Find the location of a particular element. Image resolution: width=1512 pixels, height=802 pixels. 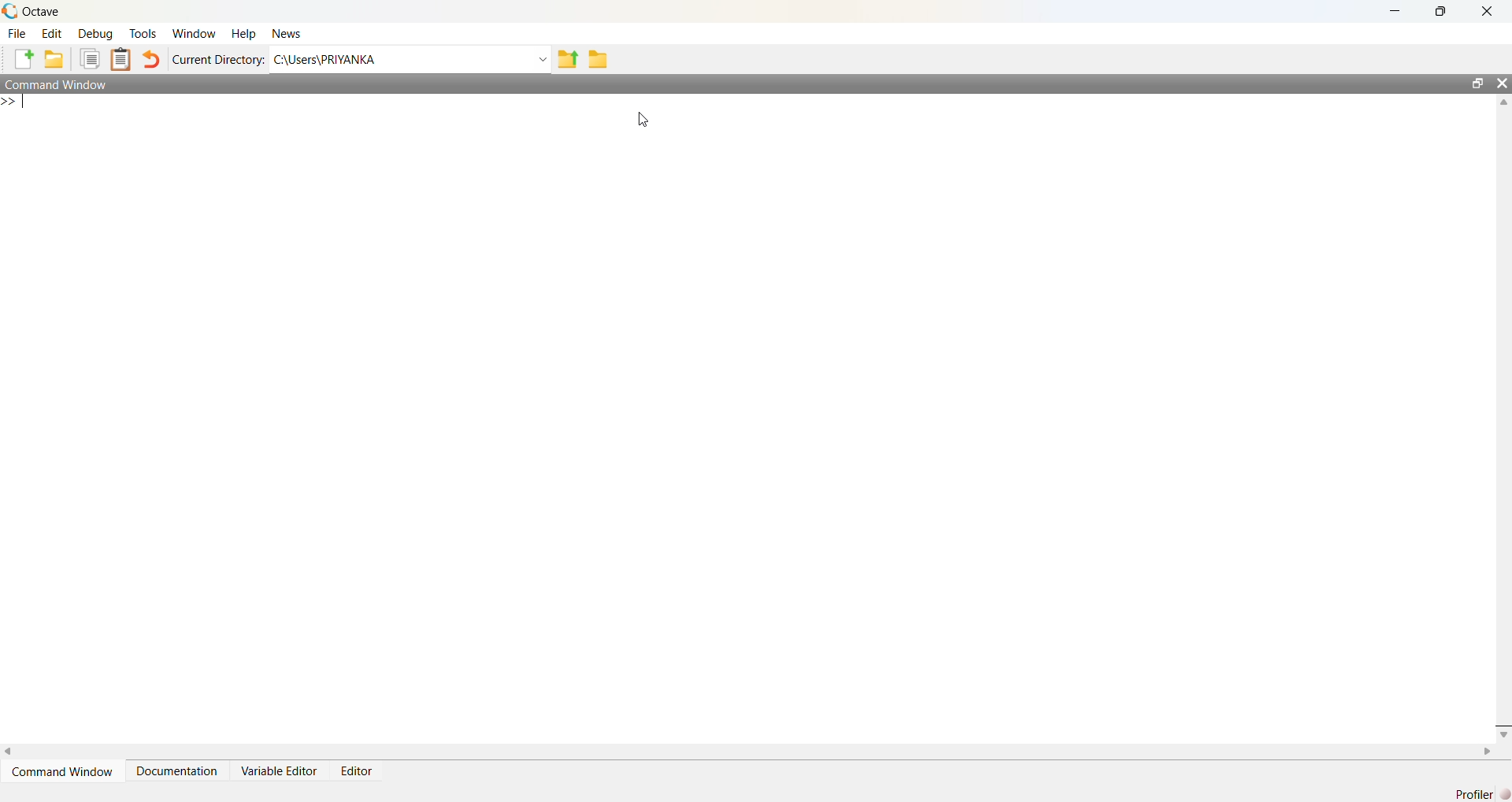

Octave logo is located at coordinates (9, 10).